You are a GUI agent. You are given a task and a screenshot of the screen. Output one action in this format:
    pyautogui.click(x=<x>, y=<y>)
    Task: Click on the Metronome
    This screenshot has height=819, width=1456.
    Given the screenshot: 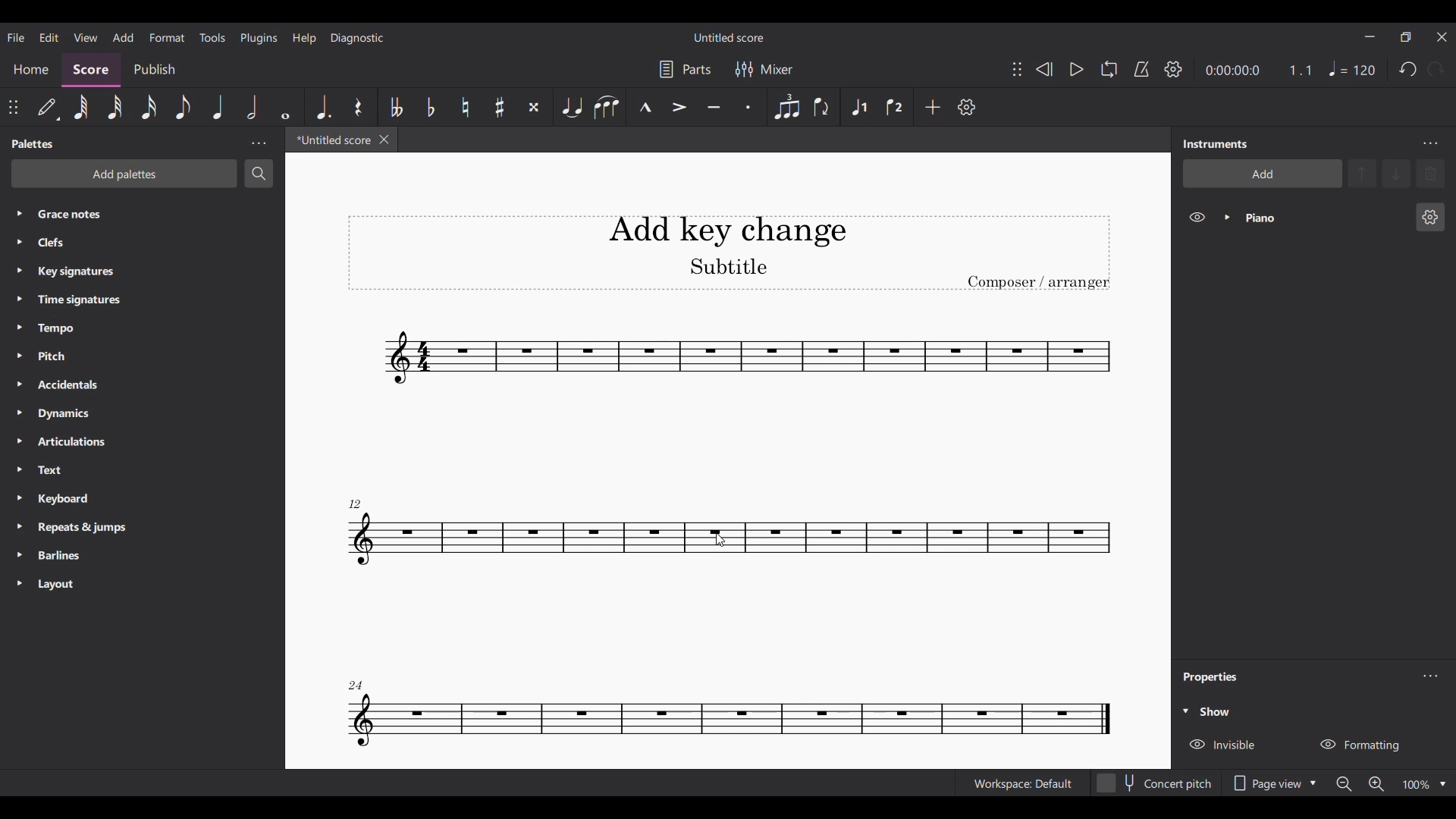 What is the action you would take?
    pyautogui.click(x=1141, y=68)
    